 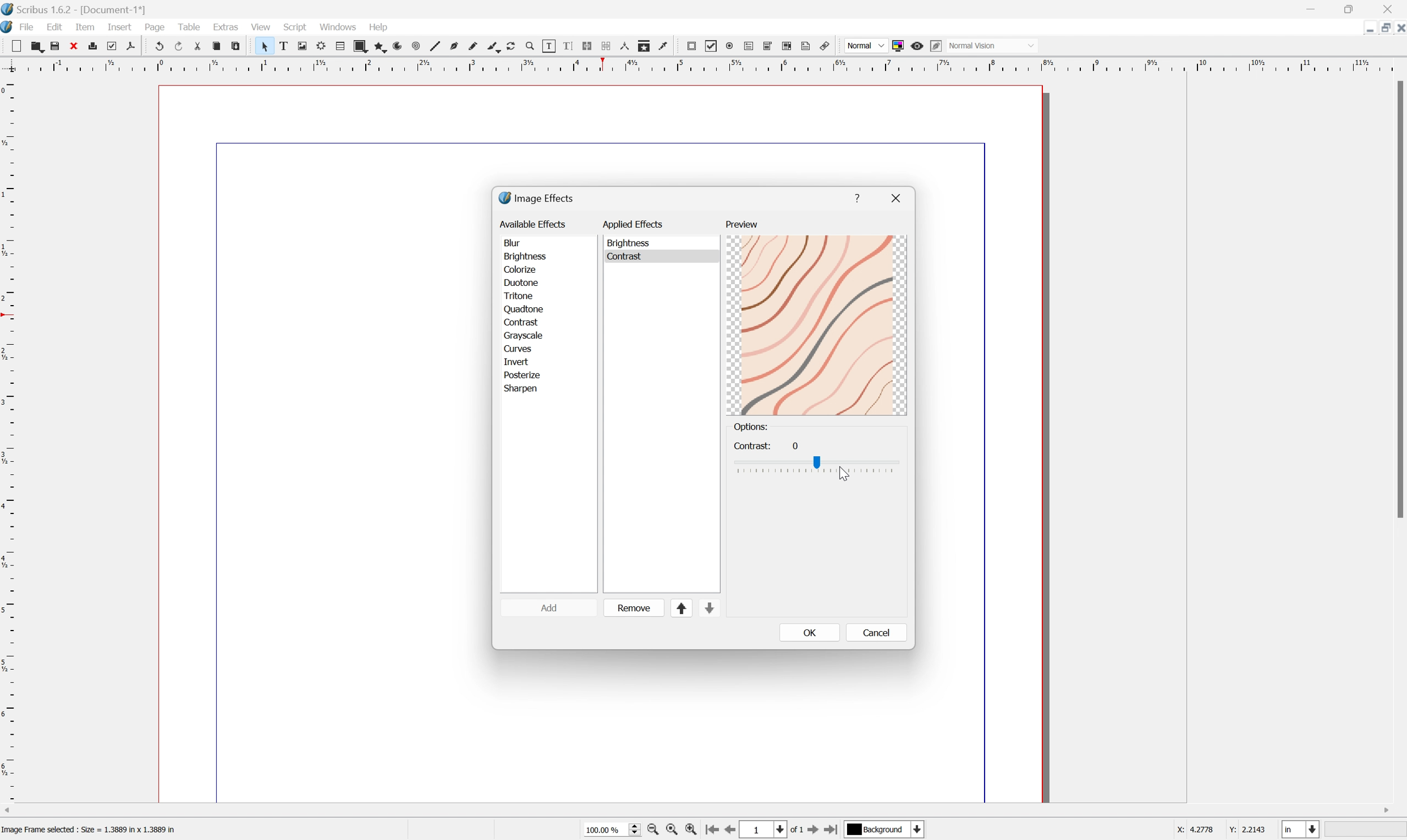 What do you see at coordinates (28, 27) in the screenshot?
I see `File` at bounding box center [28, 27].